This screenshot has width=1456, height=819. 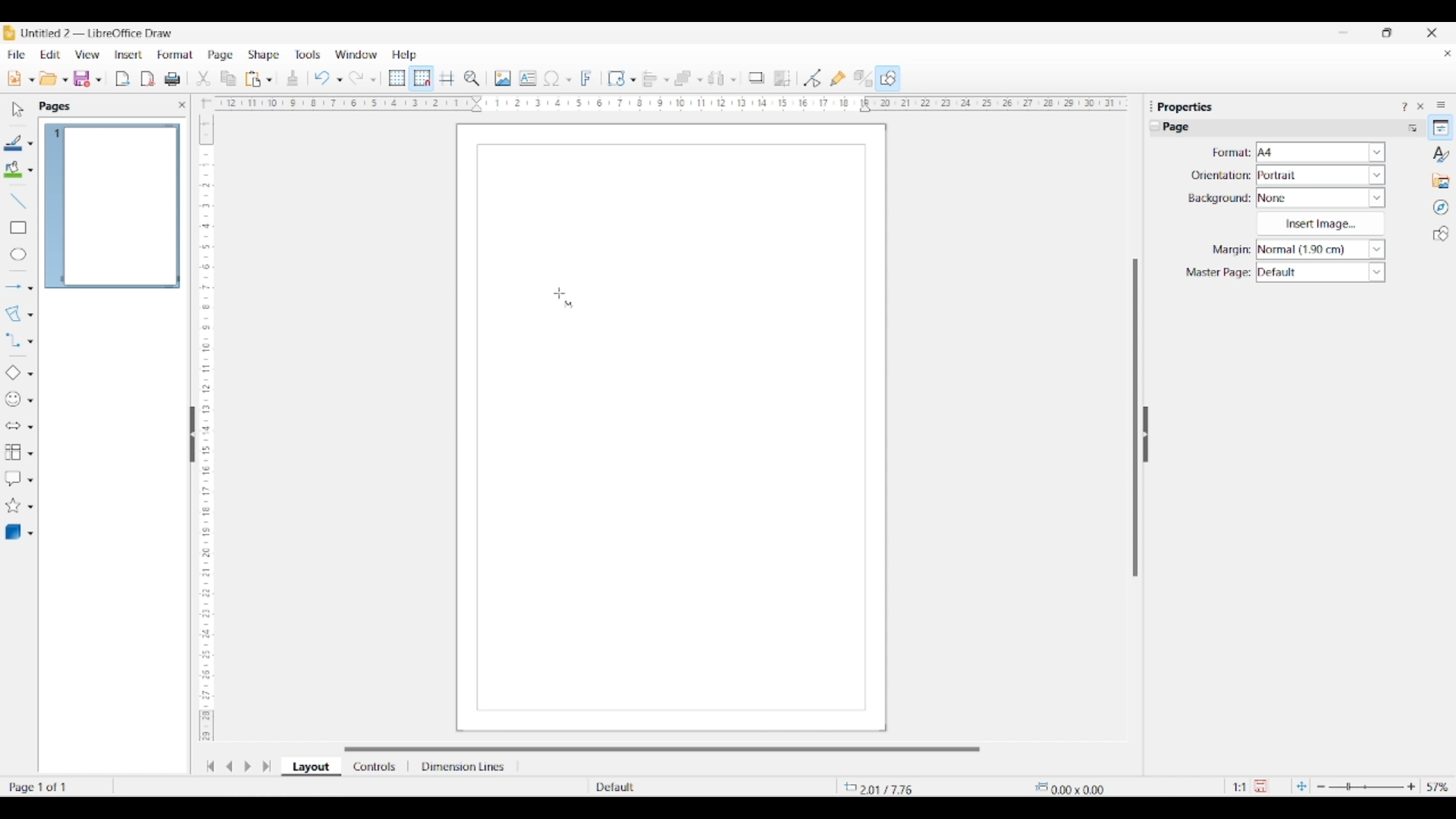 I want to click on Special character options, so click(x=569, y=80).